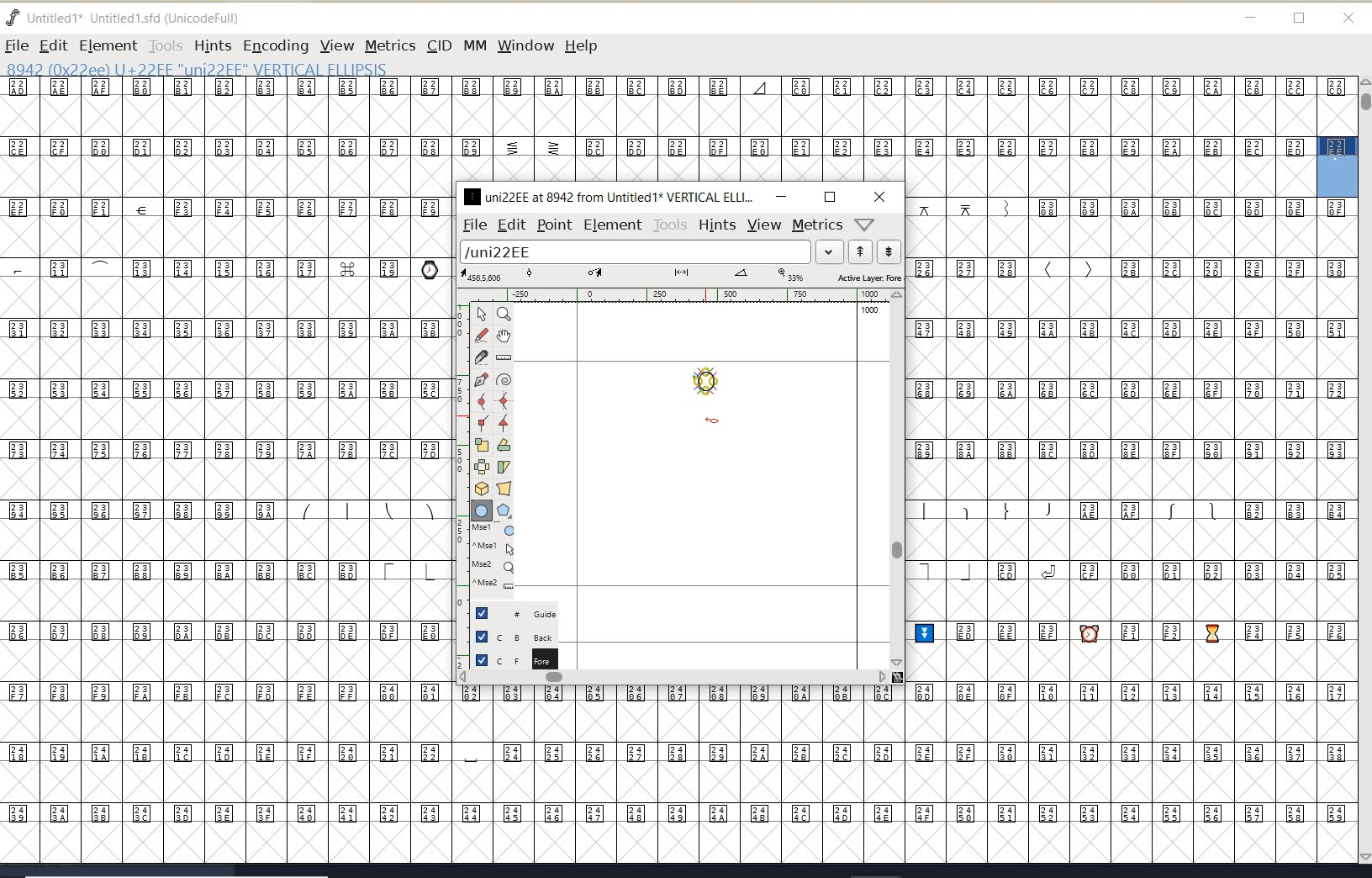 The height and width of the screenshot is (878, 1372). What do you see at coordinates (53, 45) in the screenshot?
I see `EDIT` at bounding box center [53, 45].